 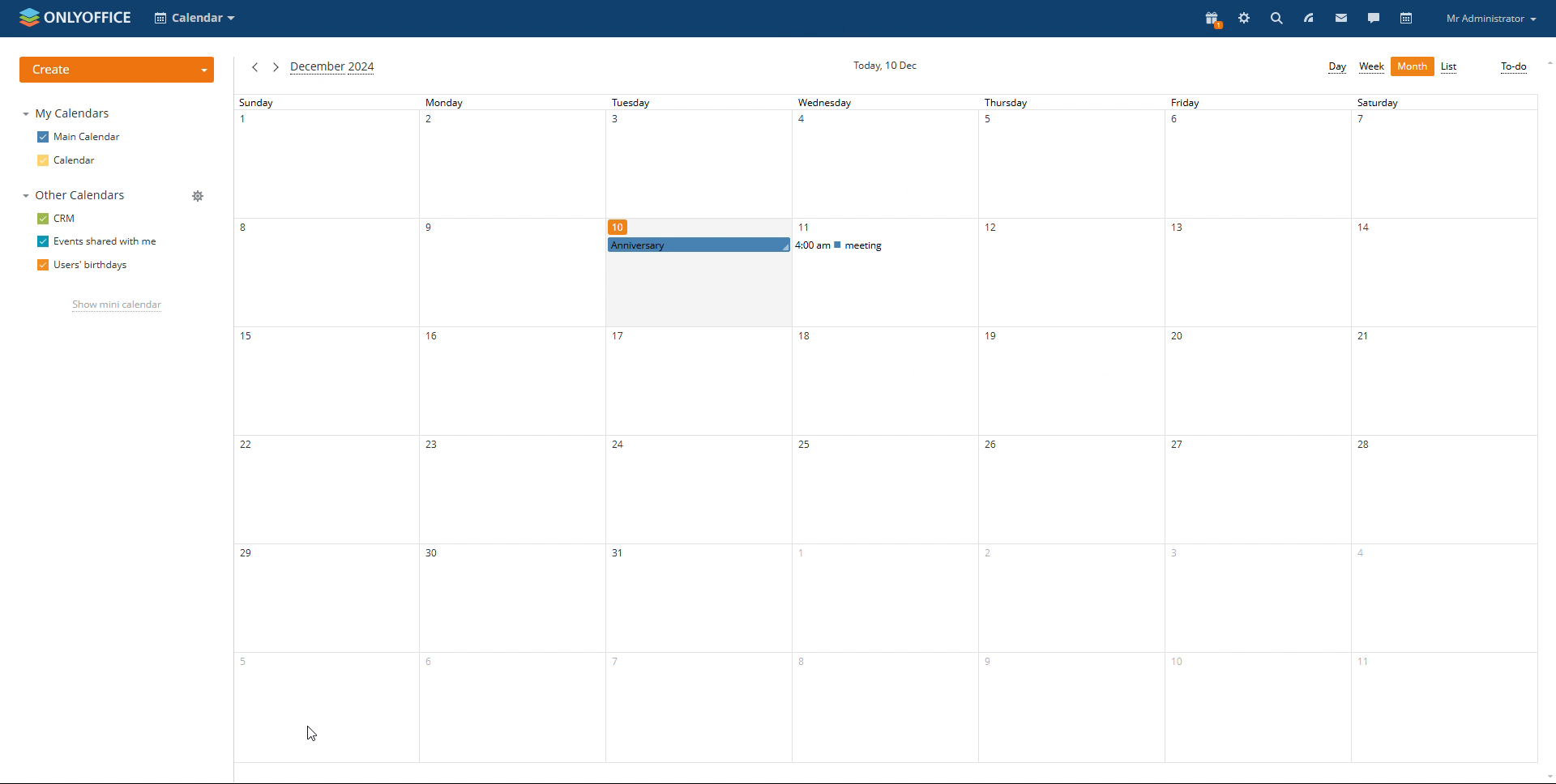 What do you see at coordinates (254, 67) in the screenshot?
I see `previous month` at bounding box center [254, 67].